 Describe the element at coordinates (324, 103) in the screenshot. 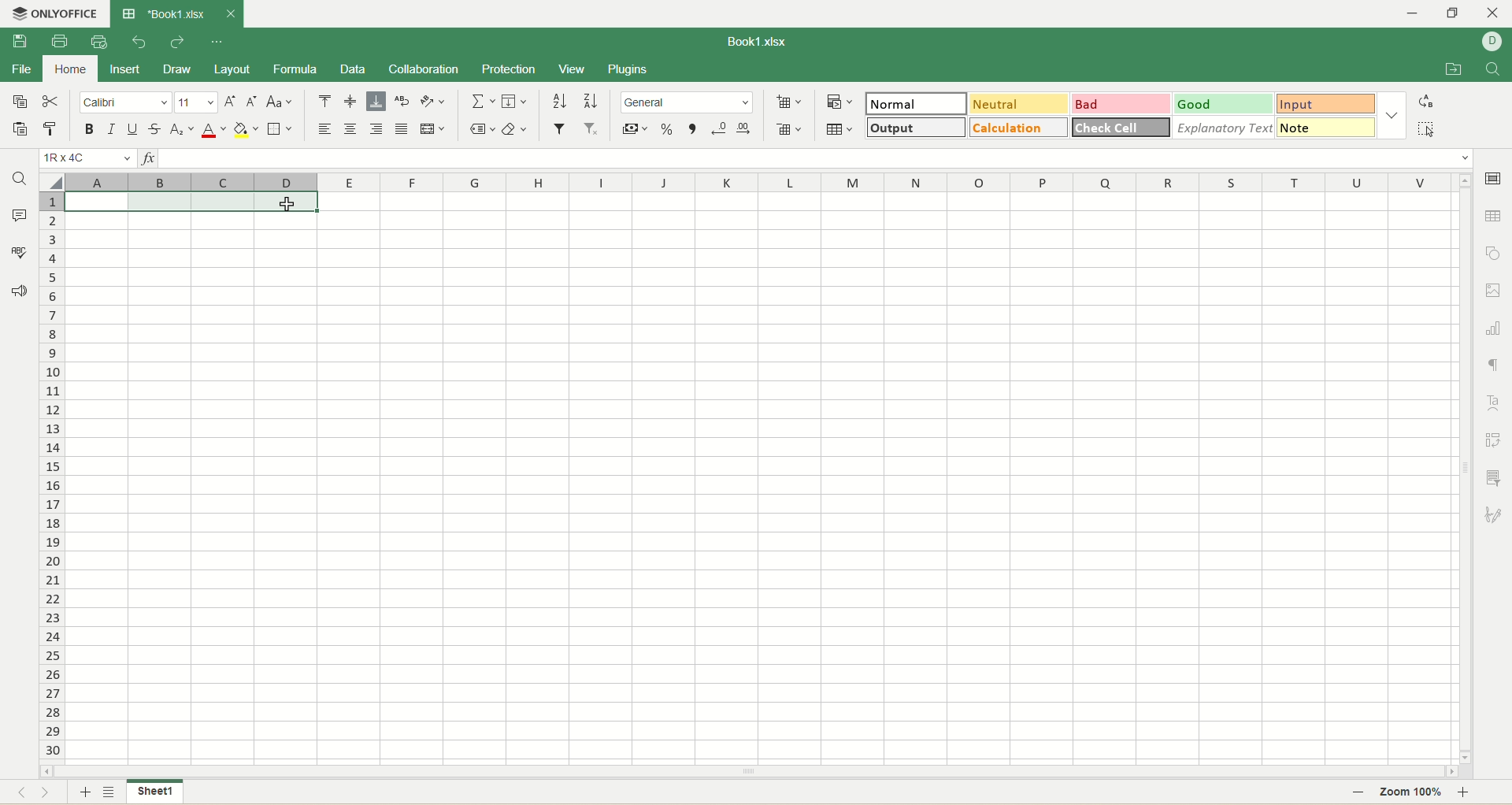

I see `align top` at that location.